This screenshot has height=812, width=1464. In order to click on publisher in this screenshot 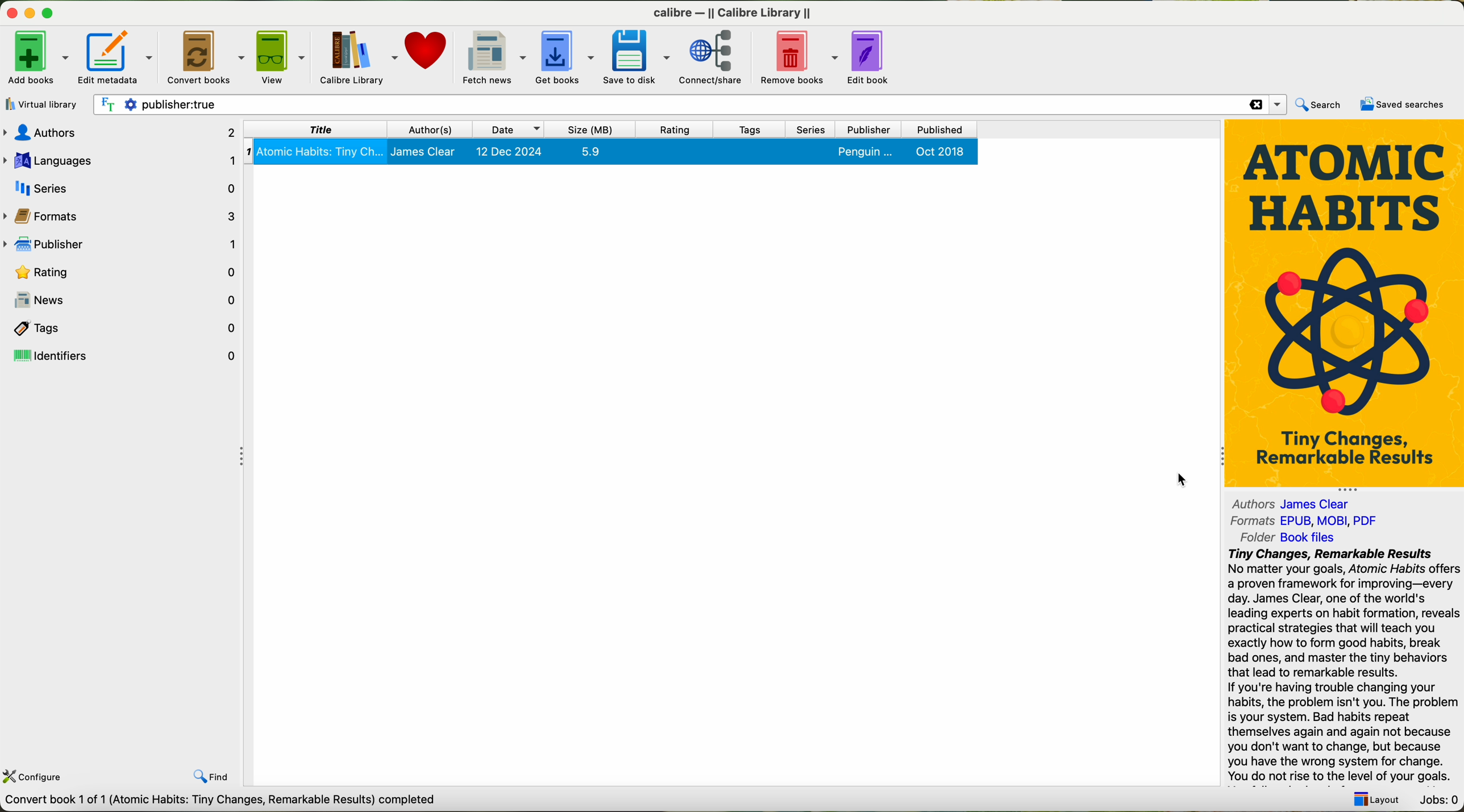, I will do `click(867, 130)`.